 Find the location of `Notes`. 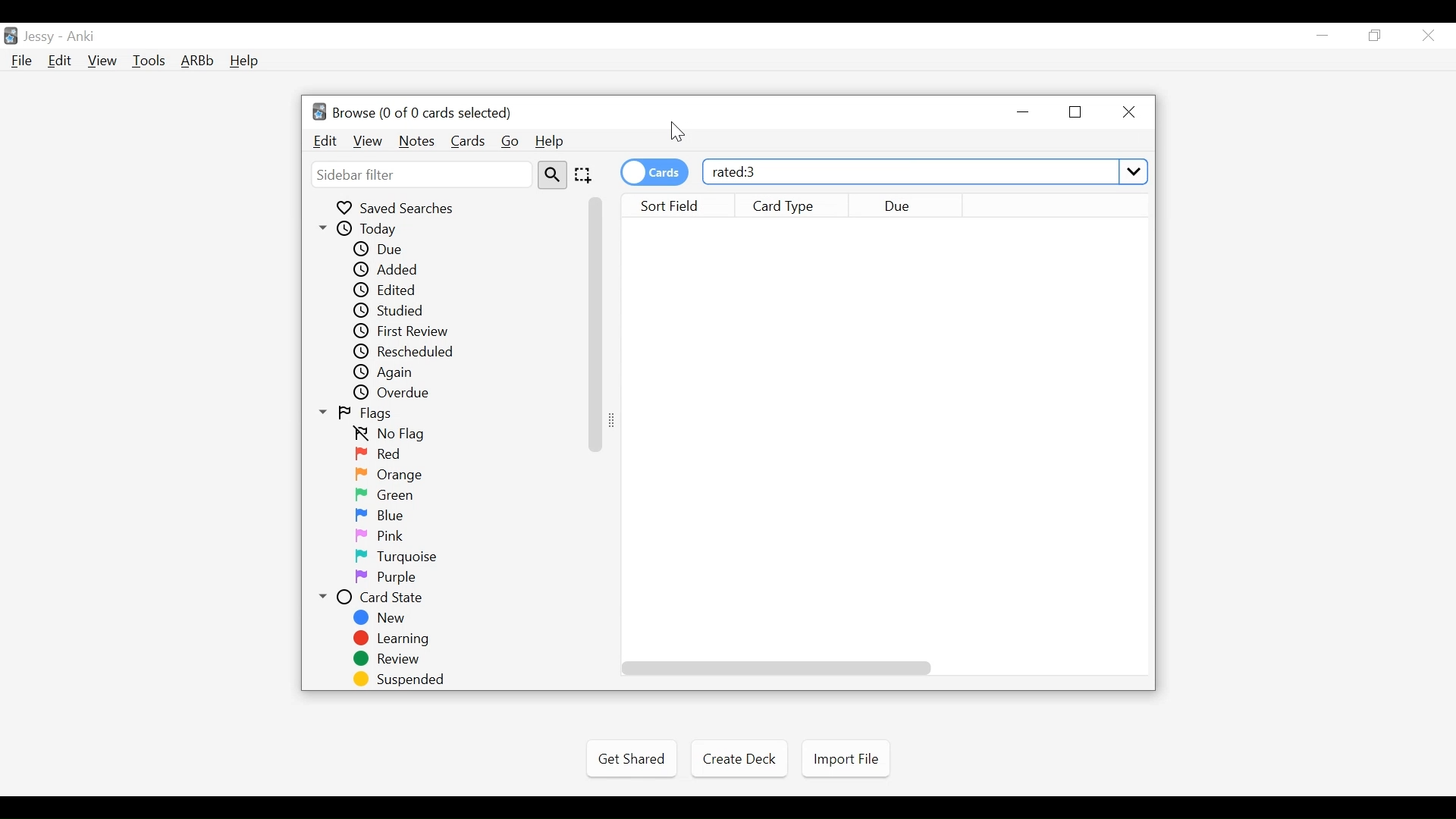

Notes is located at coordinates (416, 142).